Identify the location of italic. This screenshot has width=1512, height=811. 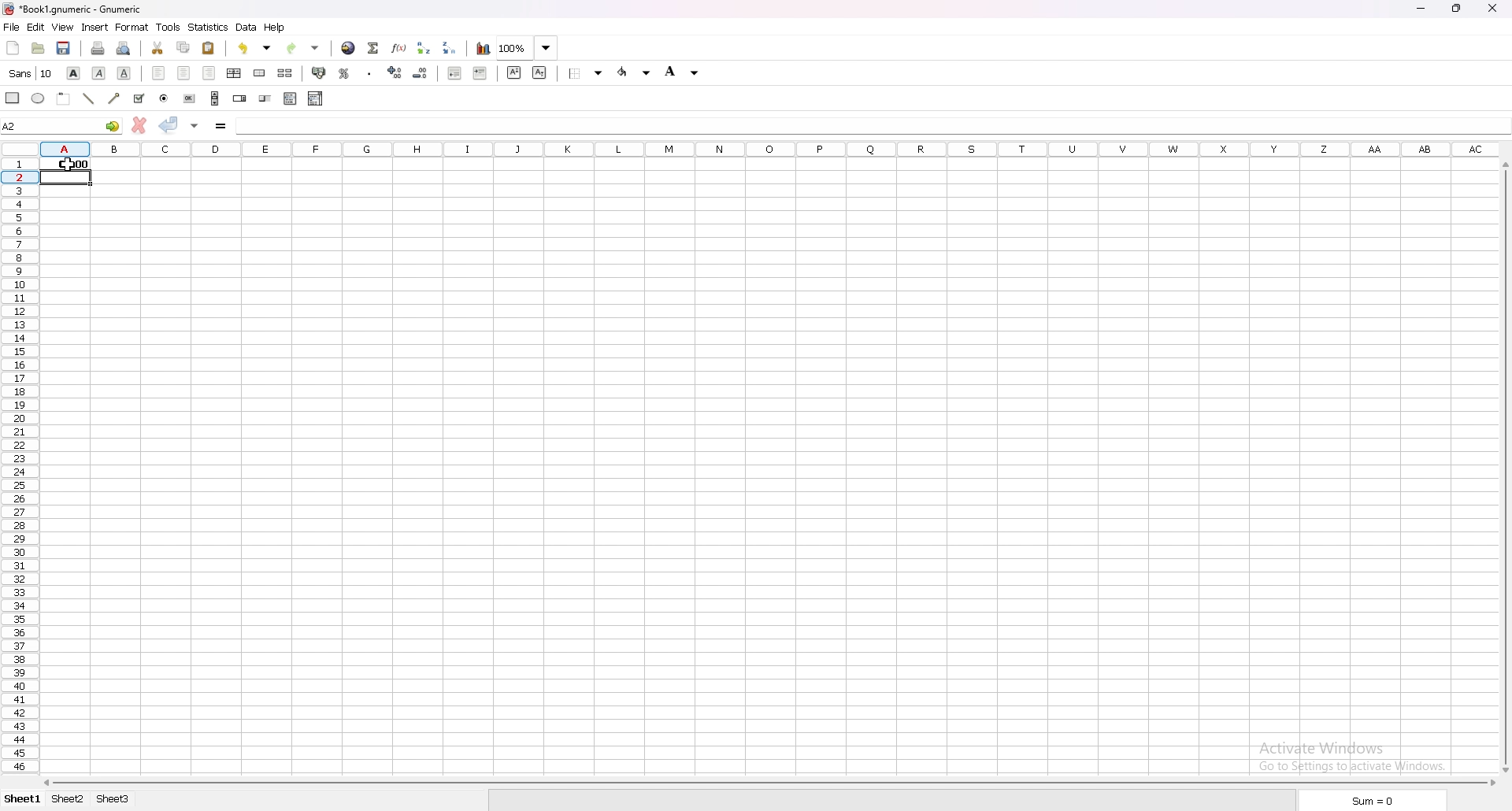
(98, 74).